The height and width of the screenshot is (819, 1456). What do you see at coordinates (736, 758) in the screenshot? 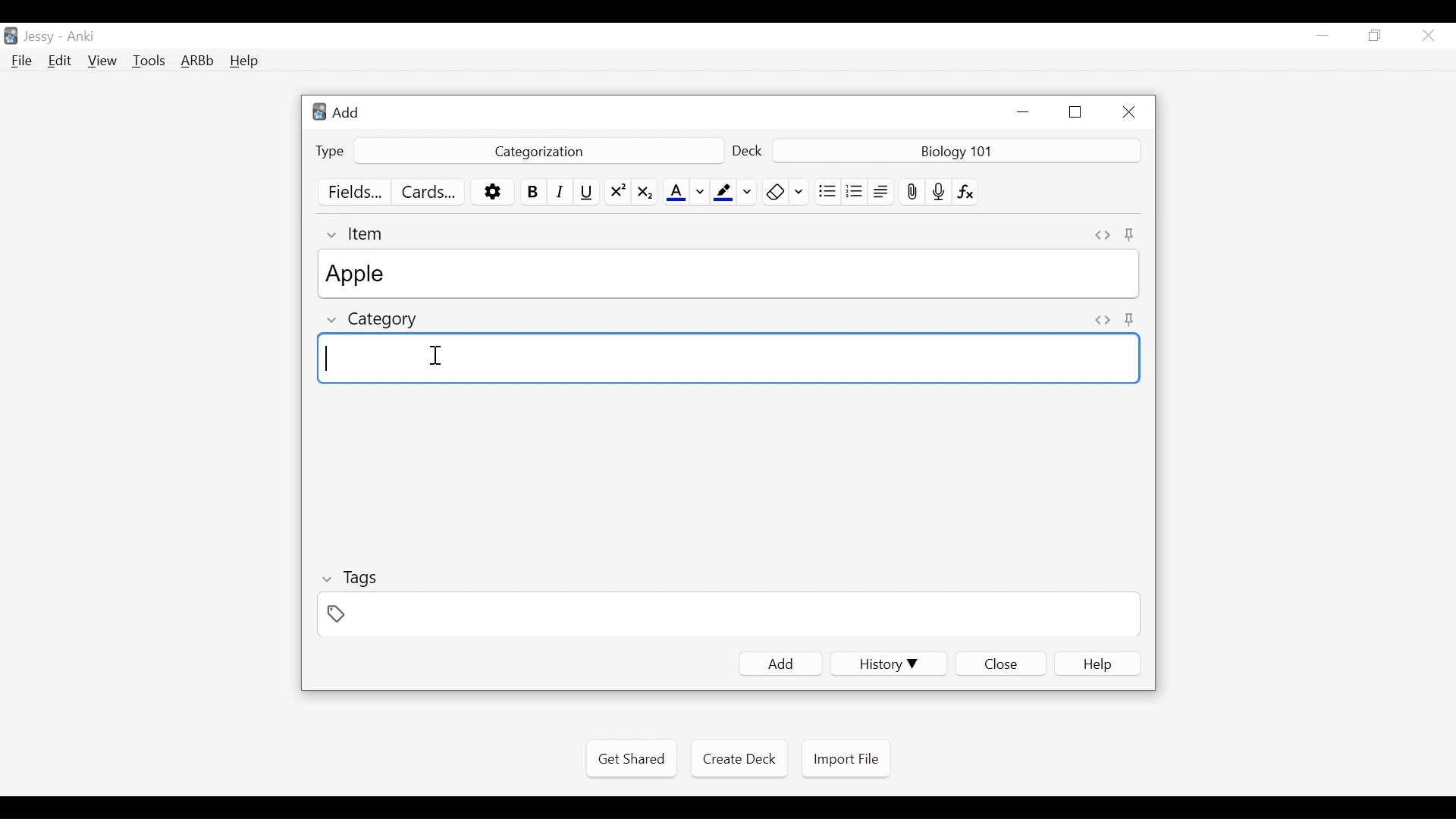
I see `Create Deck` at bounding box center [736, 758].